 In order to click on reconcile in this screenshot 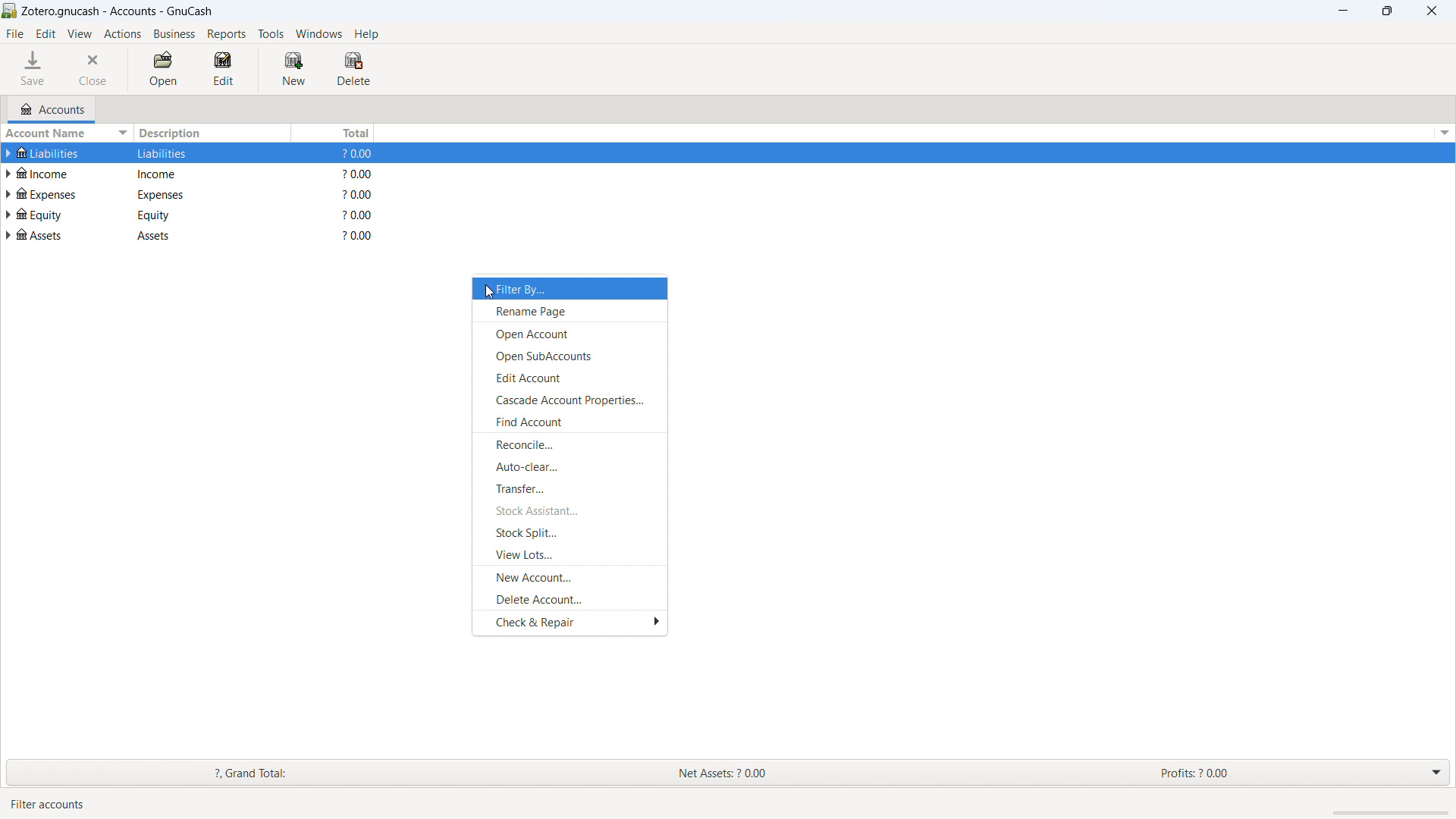, I will do `click(568, 444)`.